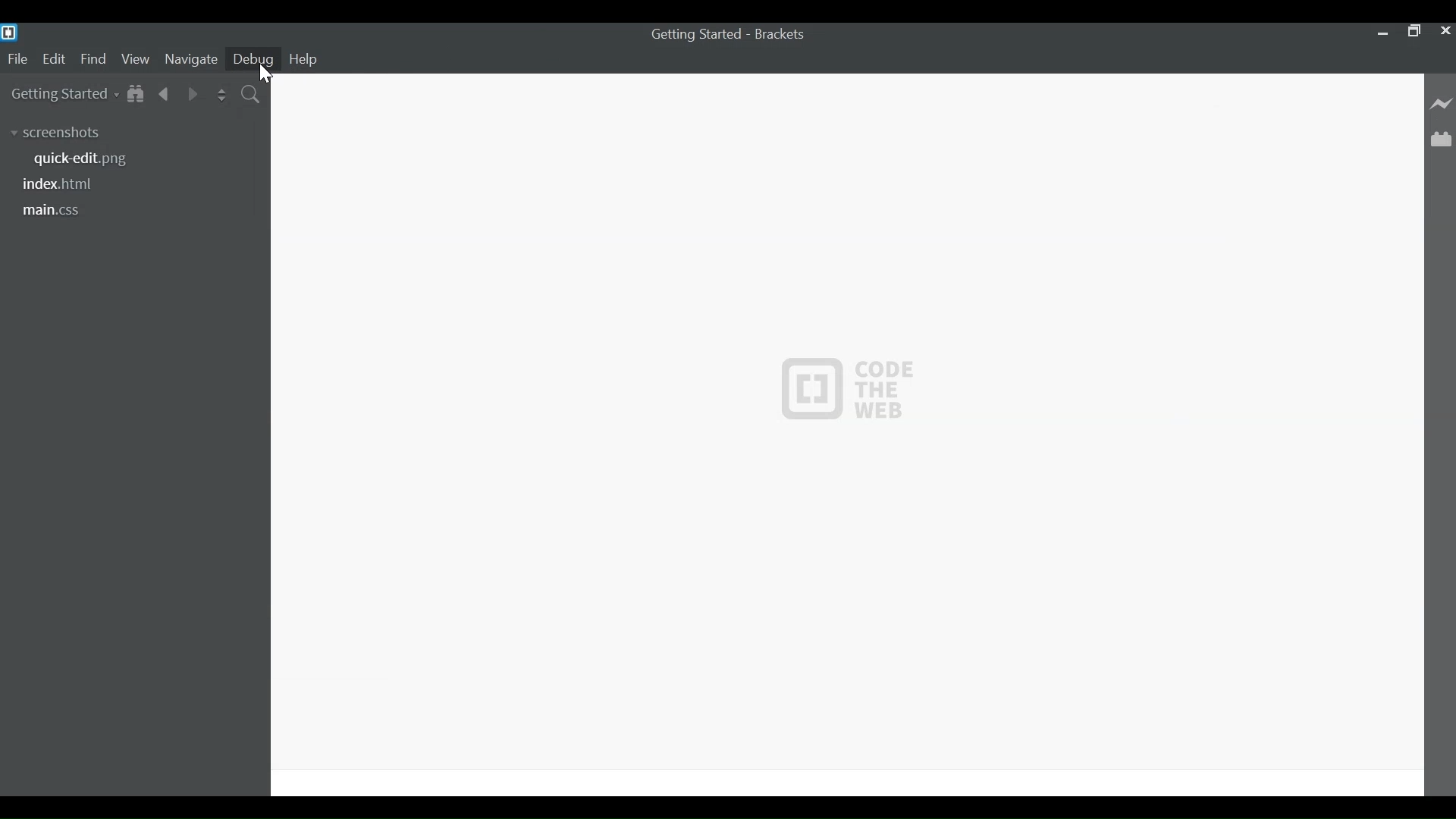 Image resolution: width=1456 pixels, height=819 pixels. What do you see at coordinates (53, 211) in the screenshot?
I see `main.css file` at bounding box center [53, 211].